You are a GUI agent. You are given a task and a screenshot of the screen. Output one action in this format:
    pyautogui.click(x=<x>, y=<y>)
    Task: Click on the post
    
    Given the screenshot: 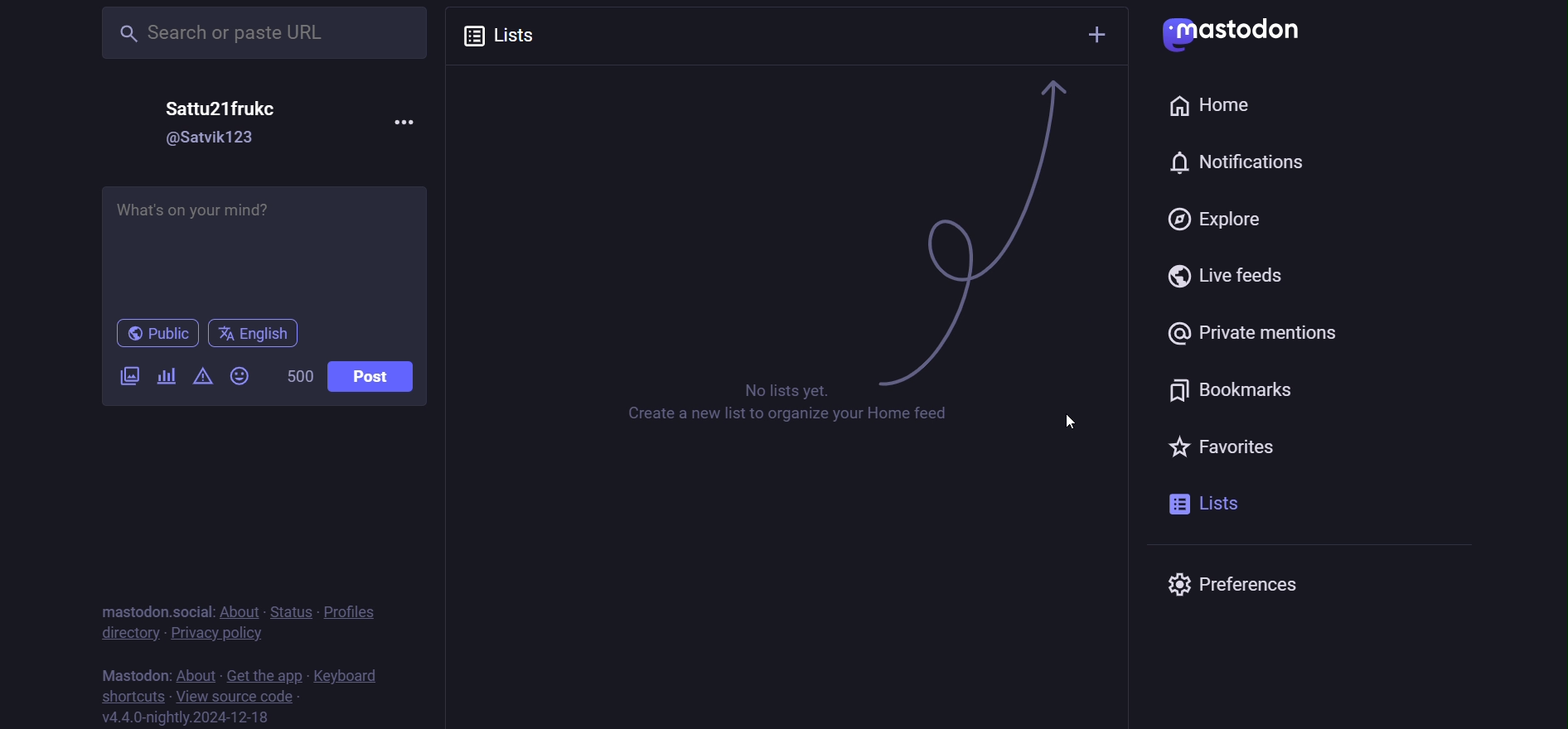 What is the action you would take?
    pyautogui.click(x=371, y=376)
    